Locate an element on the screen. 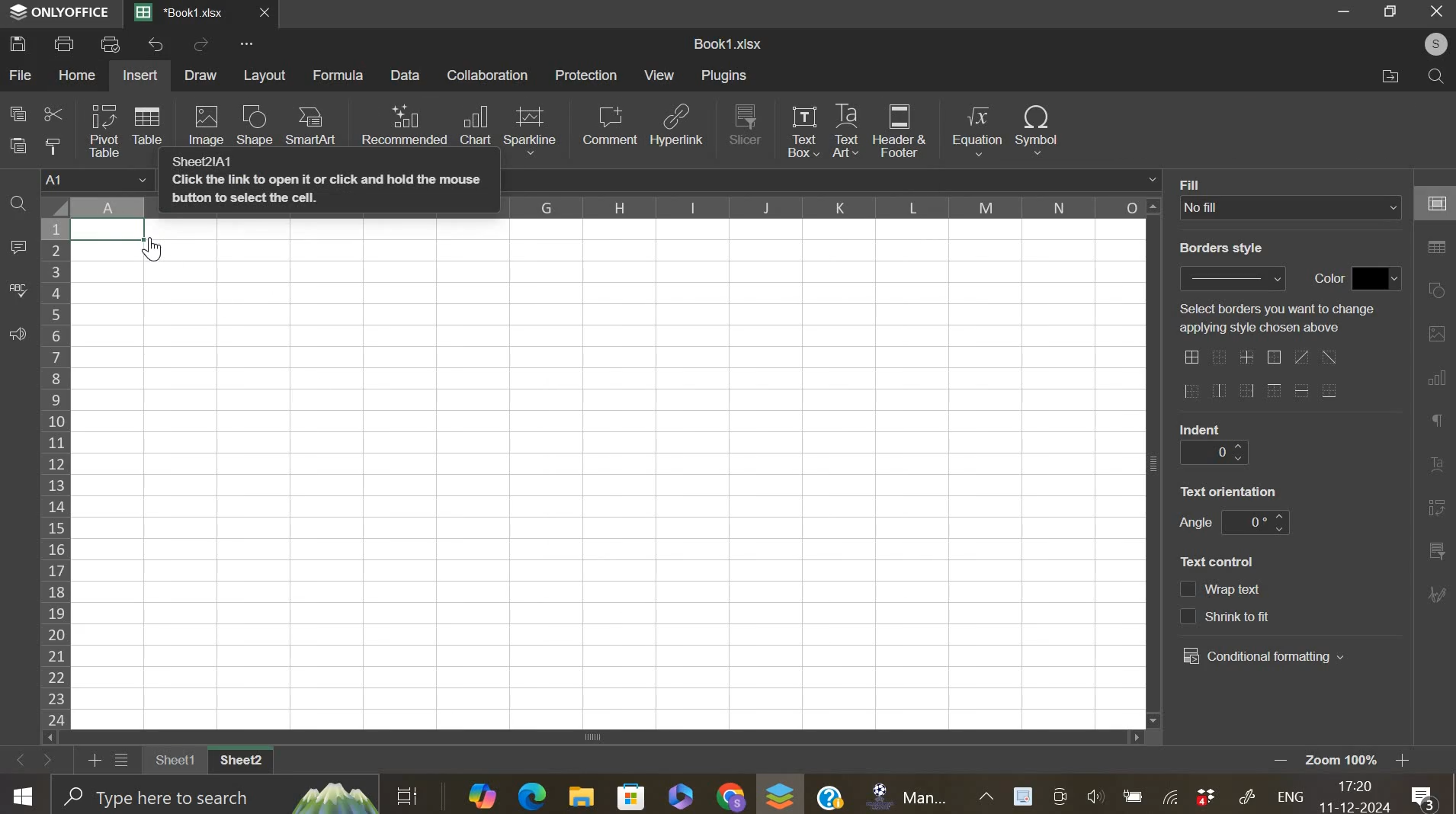 This screenshot has height=814, width=1456. smartart is located at coordinates (309, 124).